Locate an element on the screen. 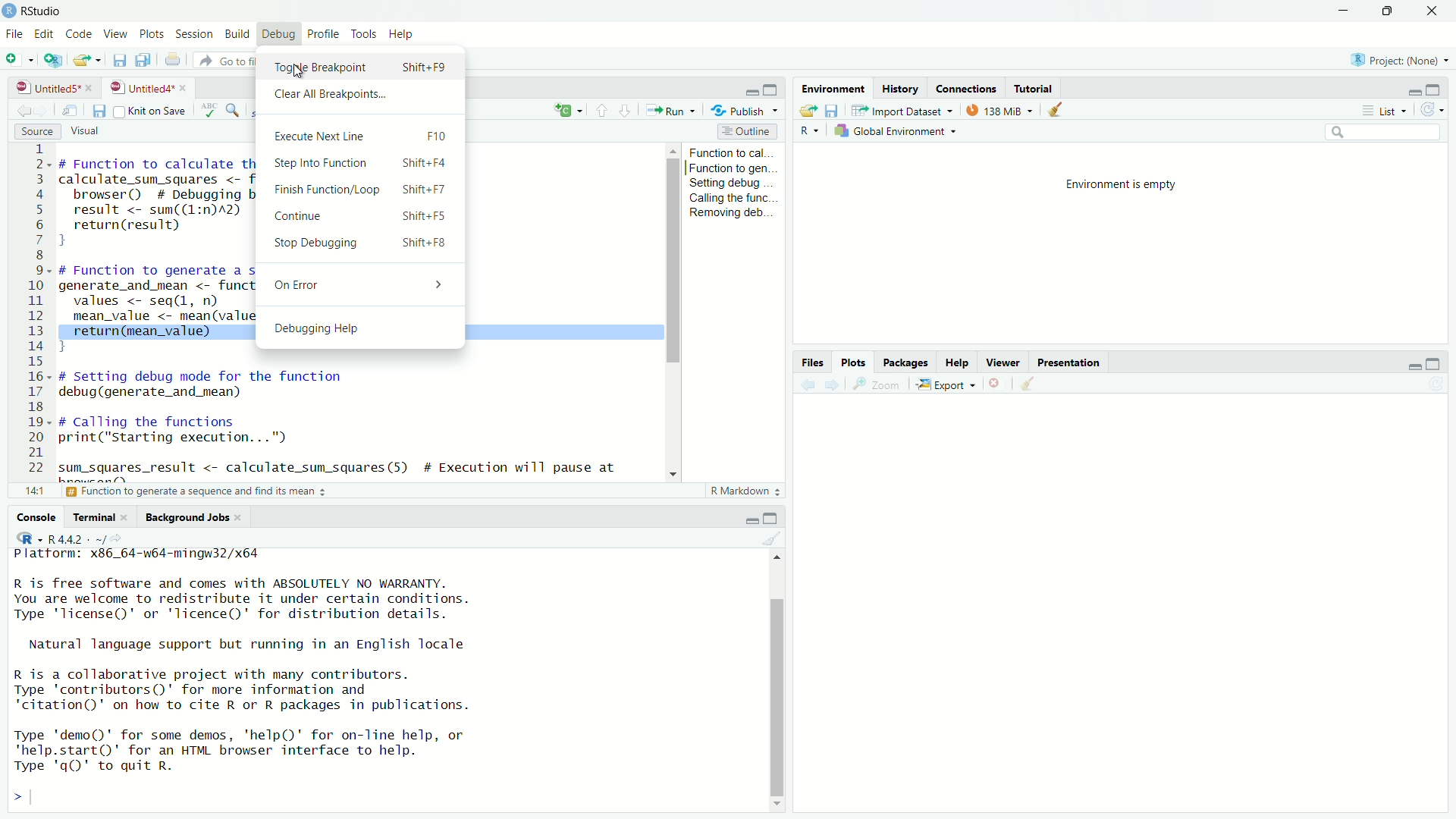  source is located at coordinates (36, 132).